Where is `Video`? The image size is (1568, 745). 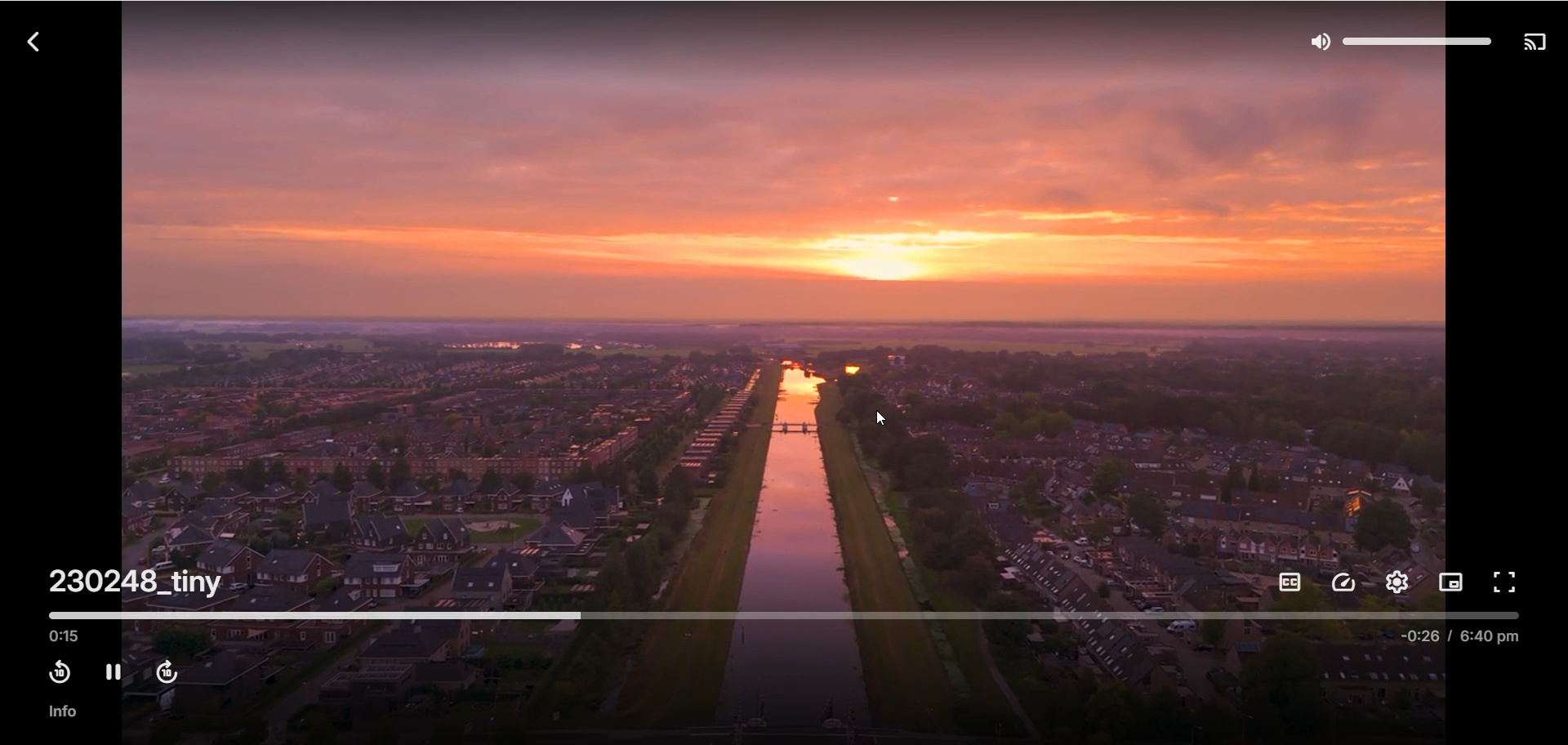
Video is located at coordinates (788, 303).